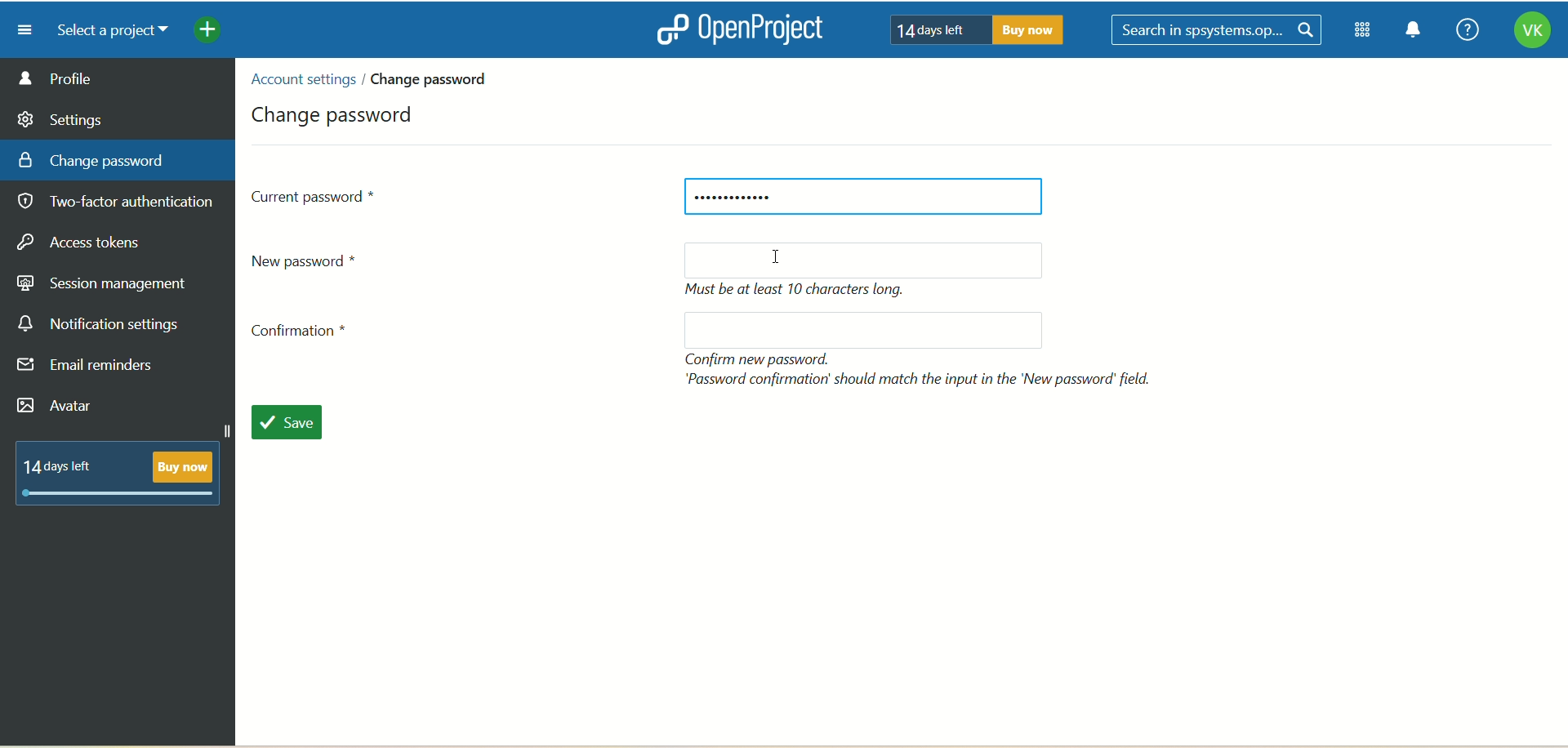  What do you see at coordinates (122, 203) in the screenshot?
I see `two factor authentication` at bounding box center [122, 203].